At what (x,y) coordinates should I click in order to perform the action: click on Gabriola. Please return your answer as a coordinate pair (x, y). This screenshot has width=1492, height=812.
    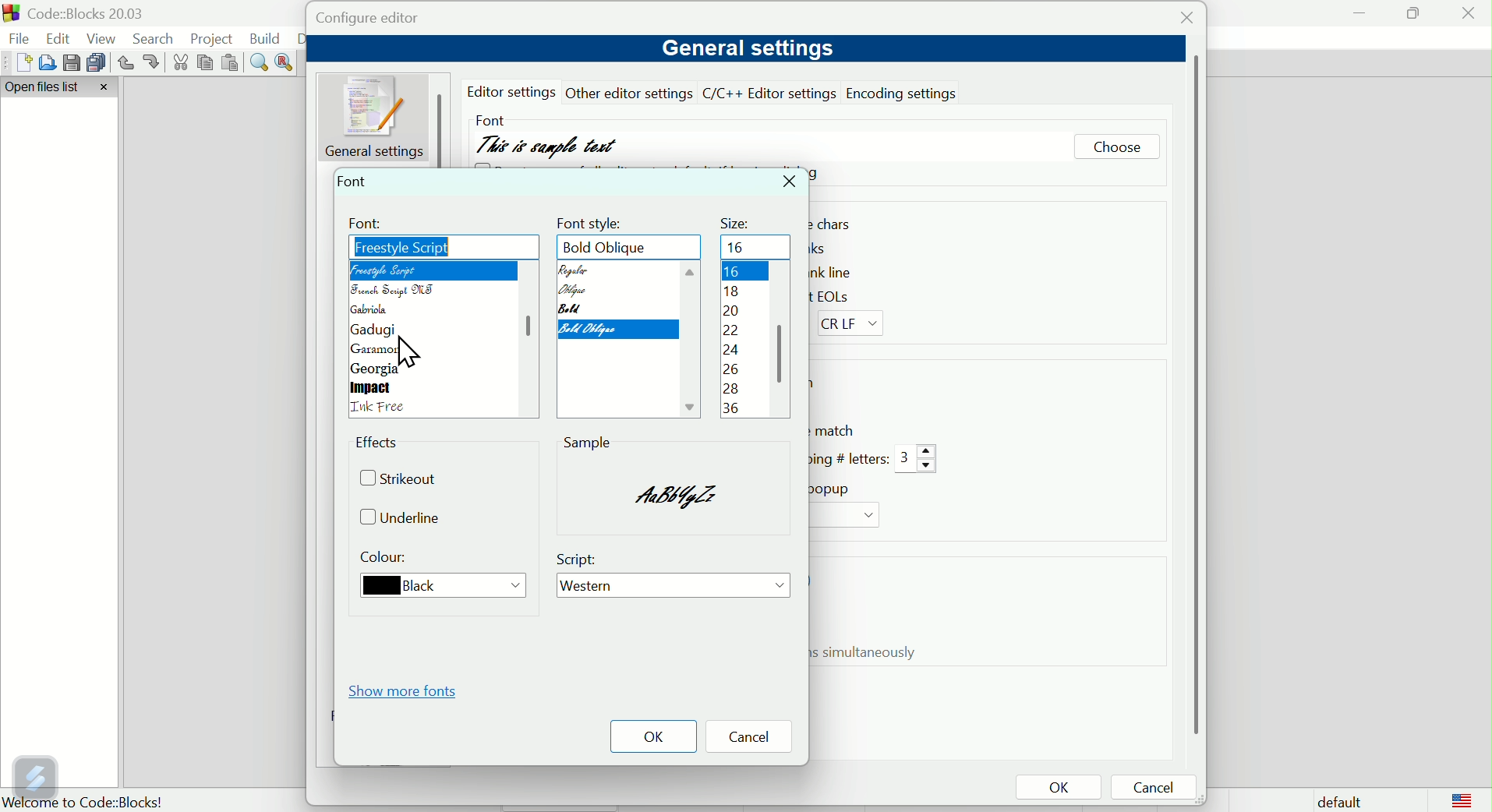
    Looking at the image, I should click on (376, 309).